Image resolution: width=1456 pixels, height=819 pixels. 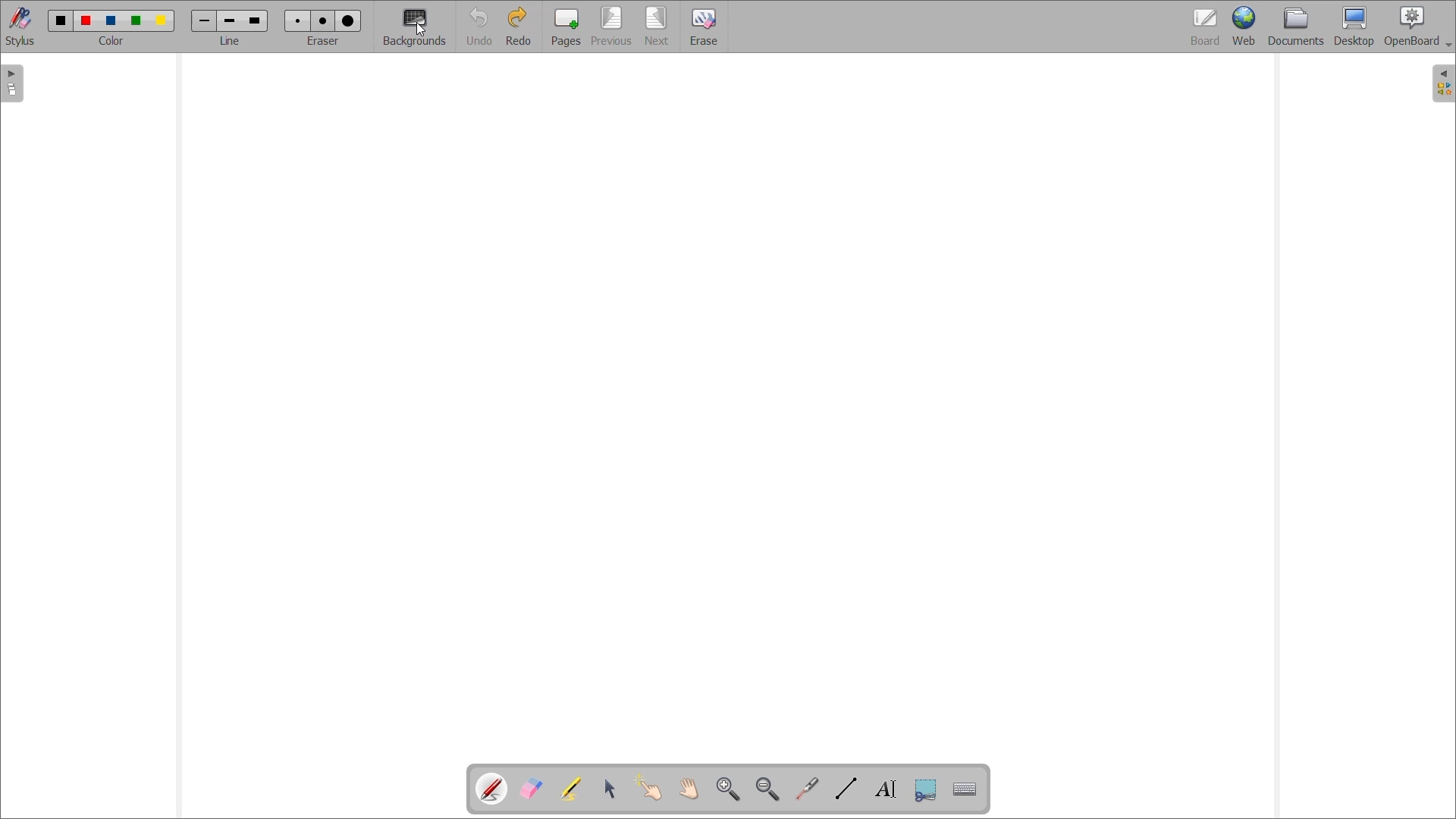 I want to click on Capture part of the screen, so click(x=926, y=790).